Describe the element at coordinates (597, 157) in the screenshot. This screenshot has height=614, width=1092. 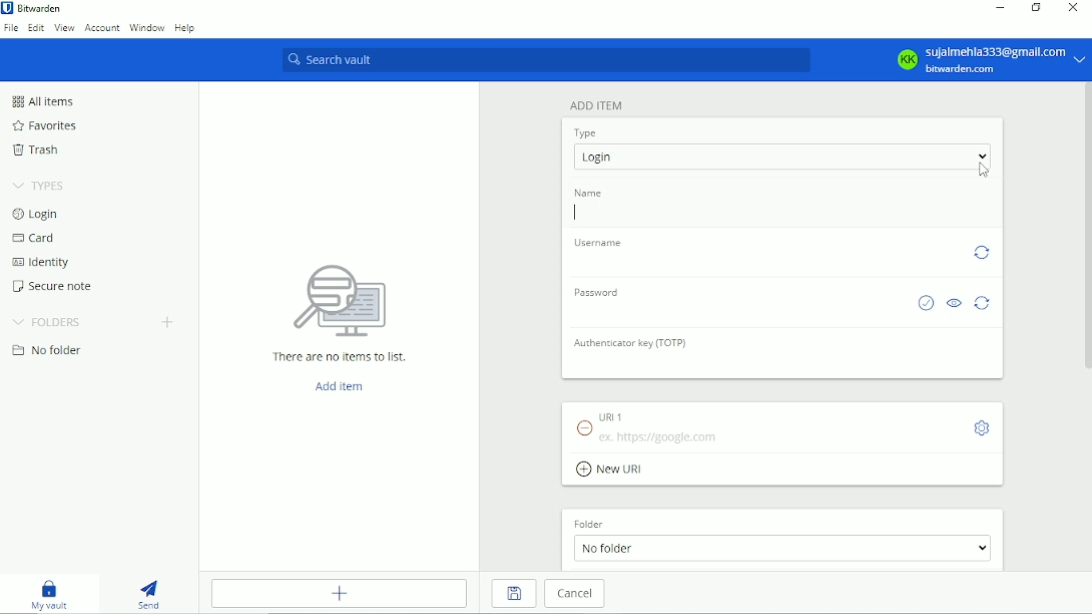
I see `Login` at that location.